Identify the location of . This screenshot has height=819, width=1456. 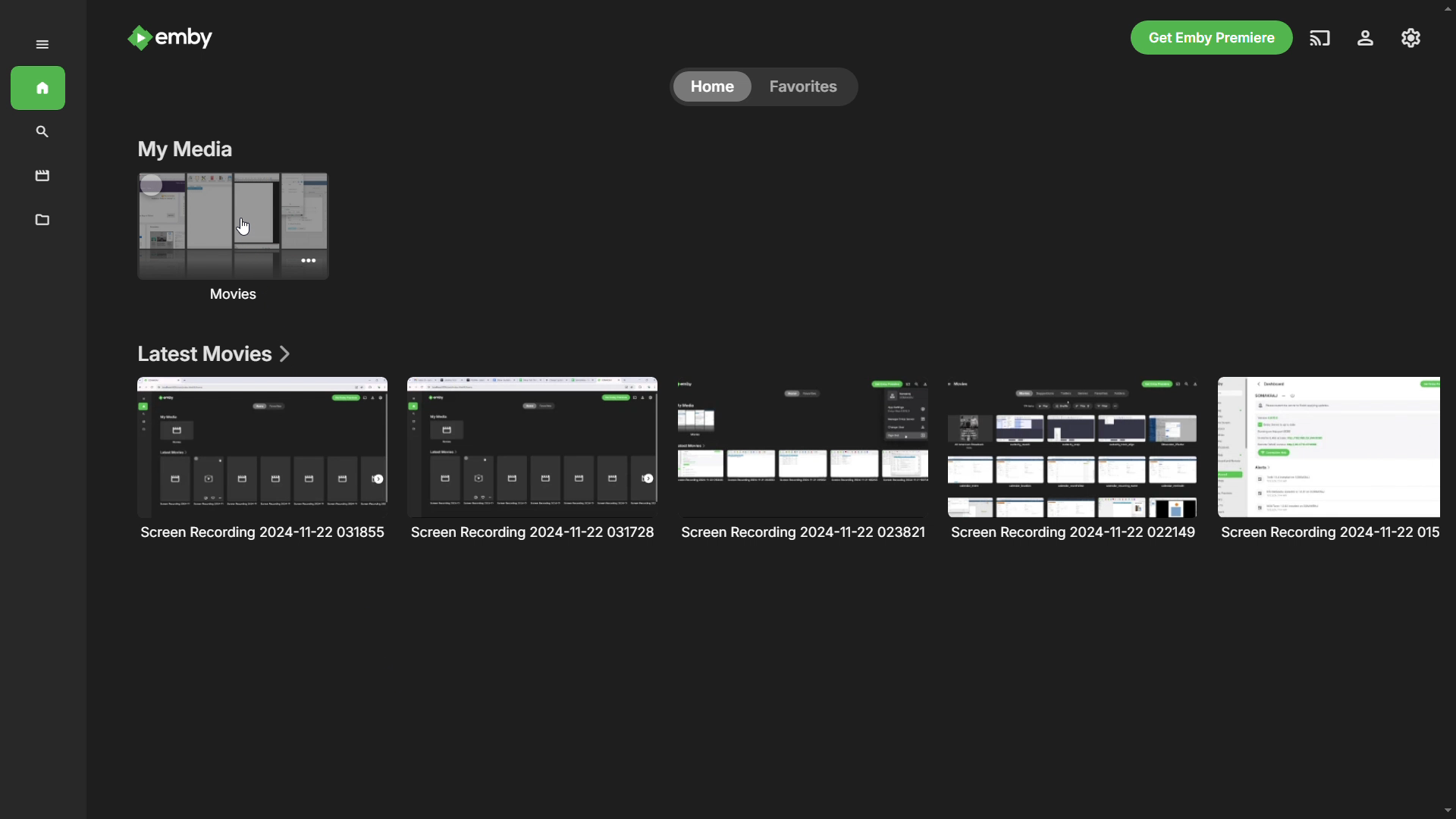
(1073, 463).